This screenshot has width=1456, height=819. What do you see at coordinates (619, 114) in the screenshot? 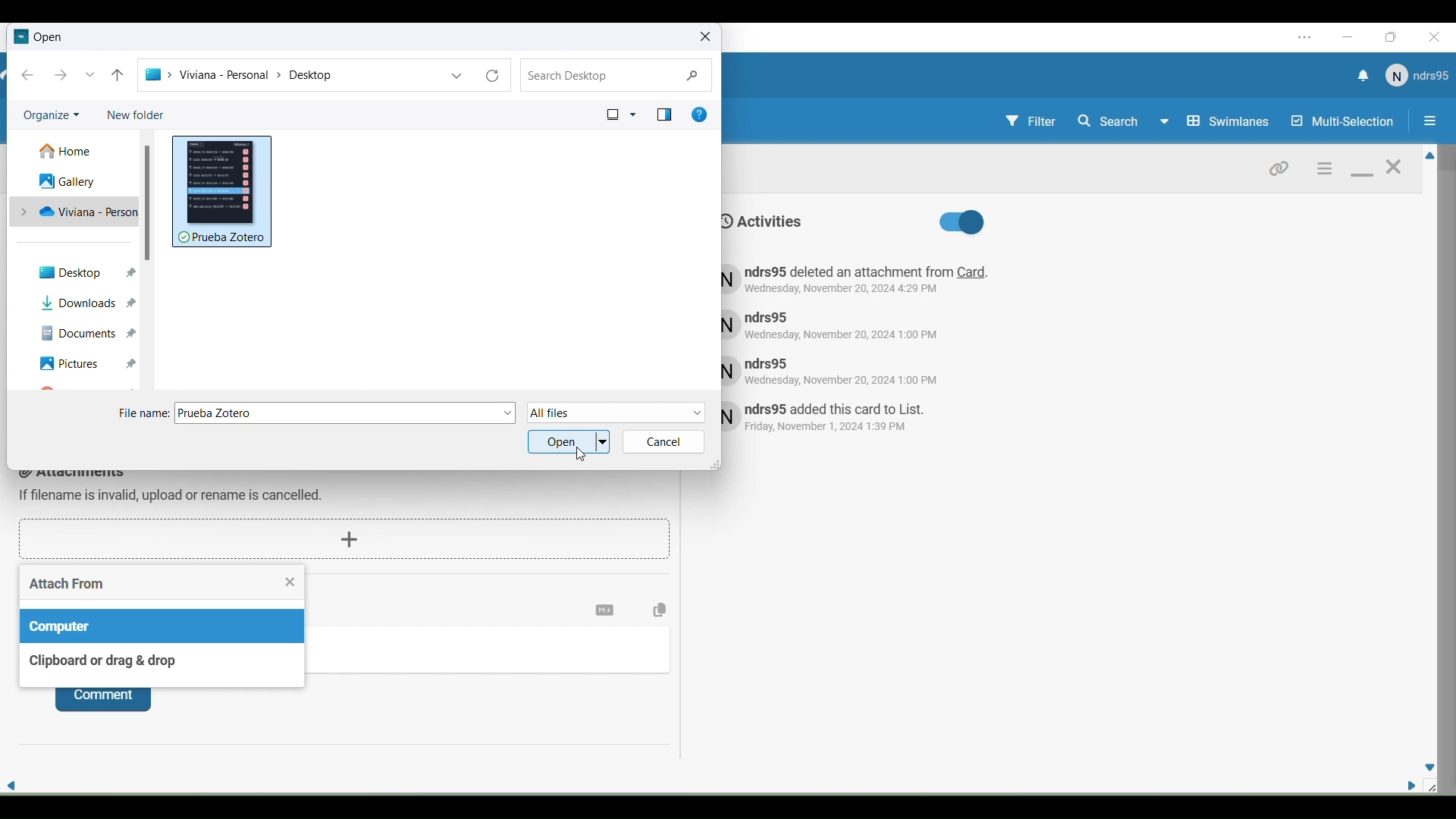
I see `View` at bounding box center [619, 114].